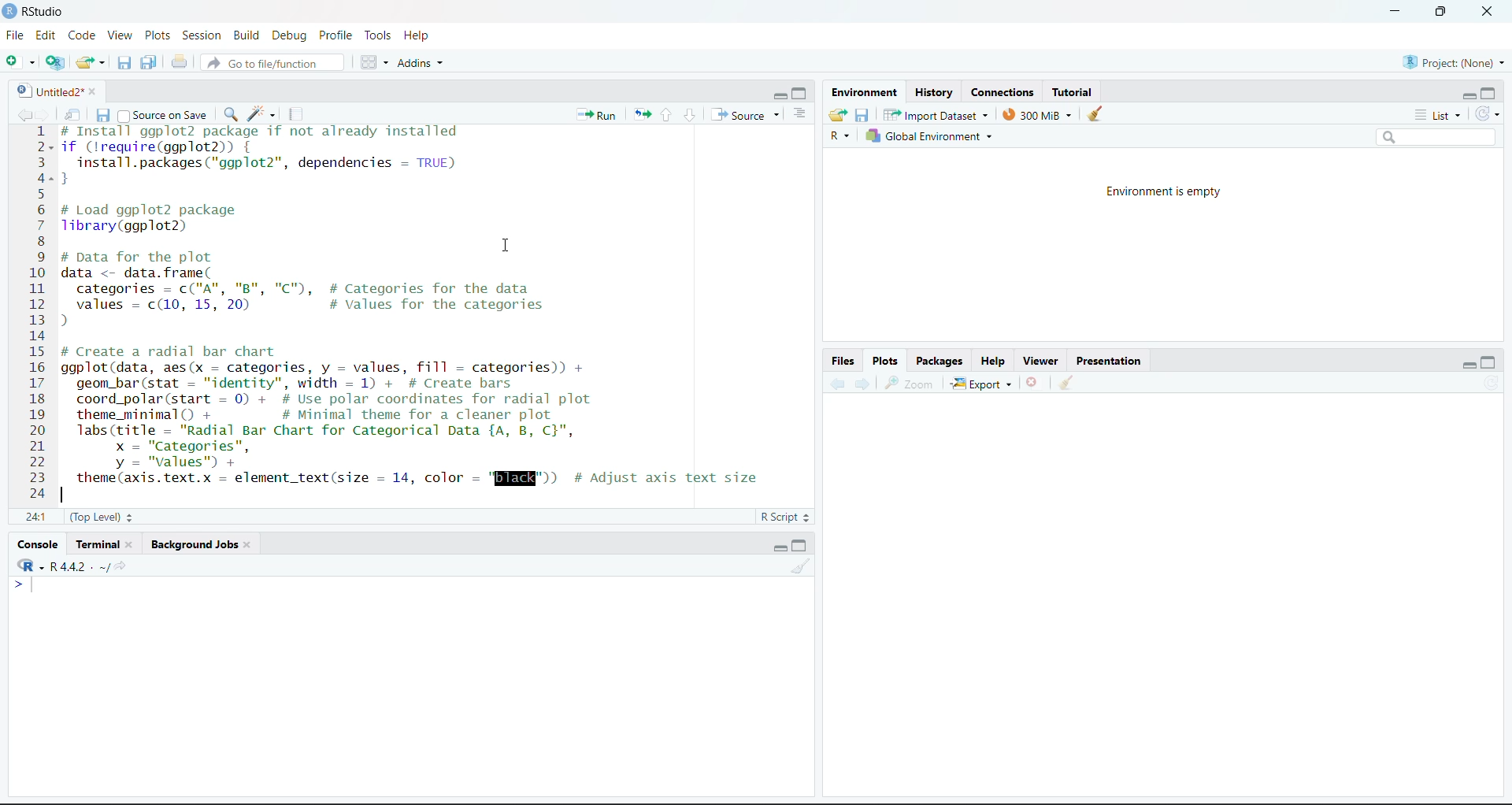  What do you see at coordinates (419, 35) in the screenshot?
I see `Help` at bounding box center [419, 35].